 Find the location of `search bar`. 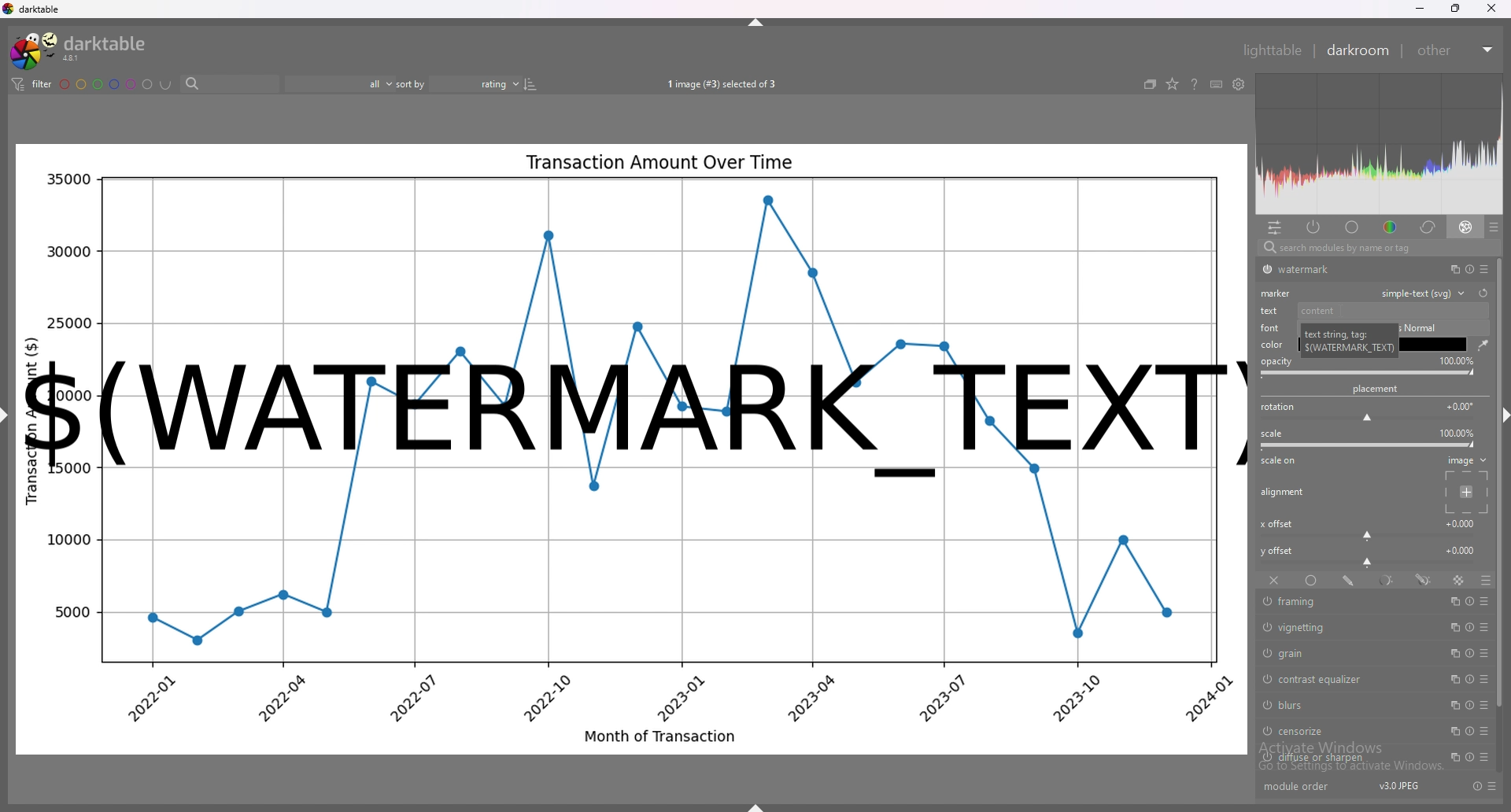

search bar is located at coordinates (1374, 249).